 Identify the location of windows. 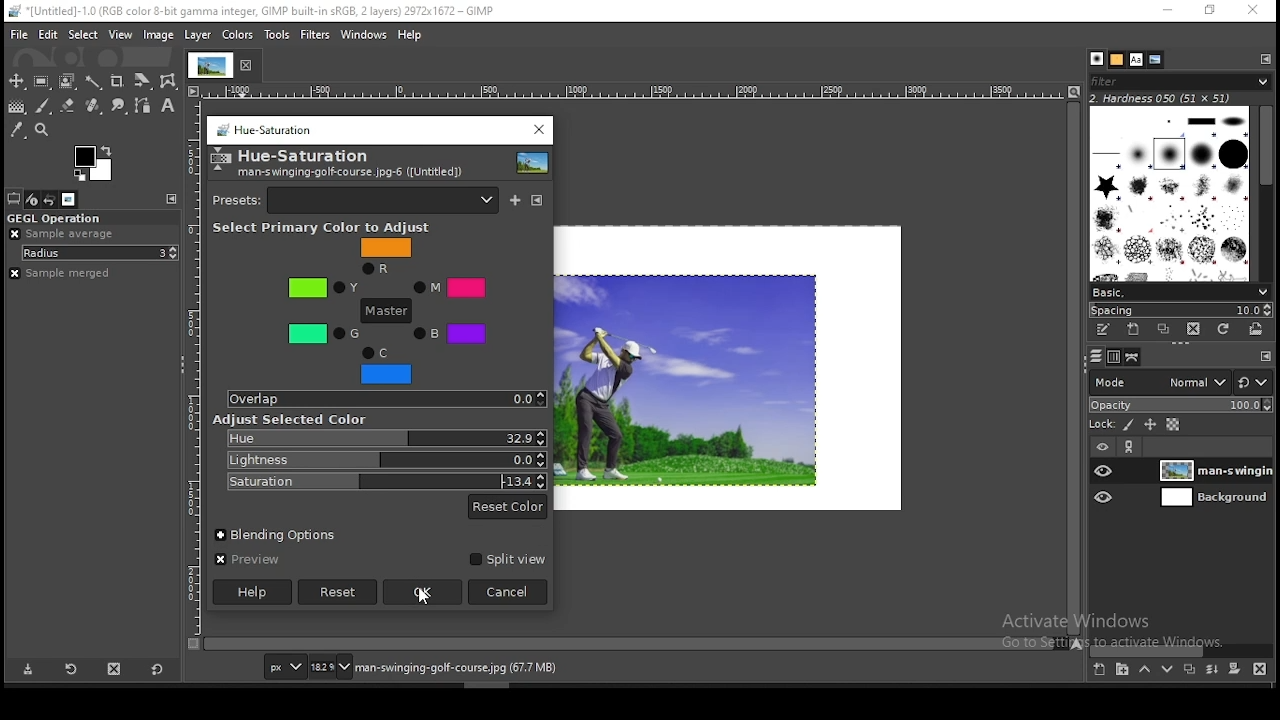
(364, 35).